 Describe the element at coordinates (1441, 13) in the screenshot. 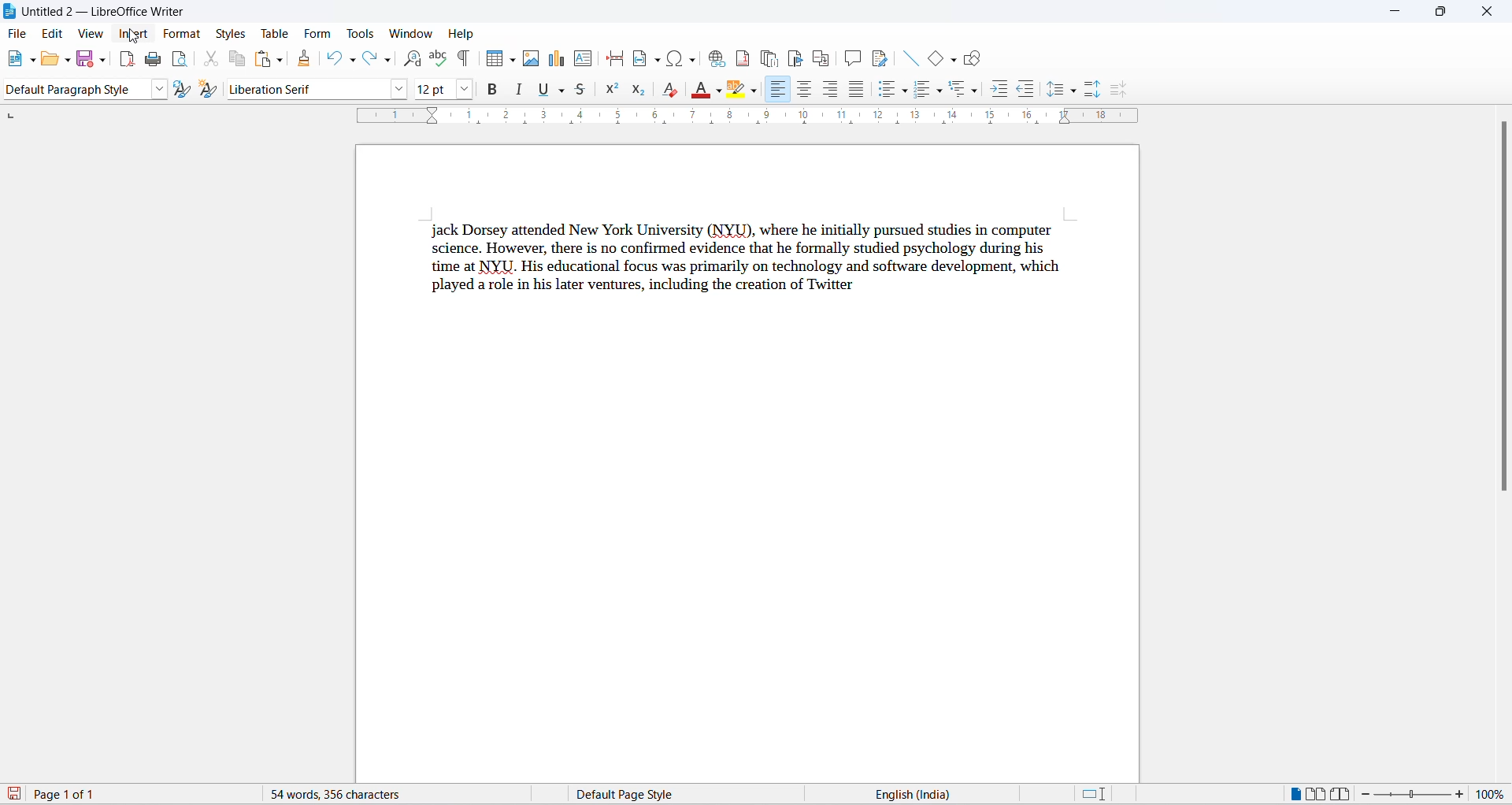

I see `maximize` at that location.